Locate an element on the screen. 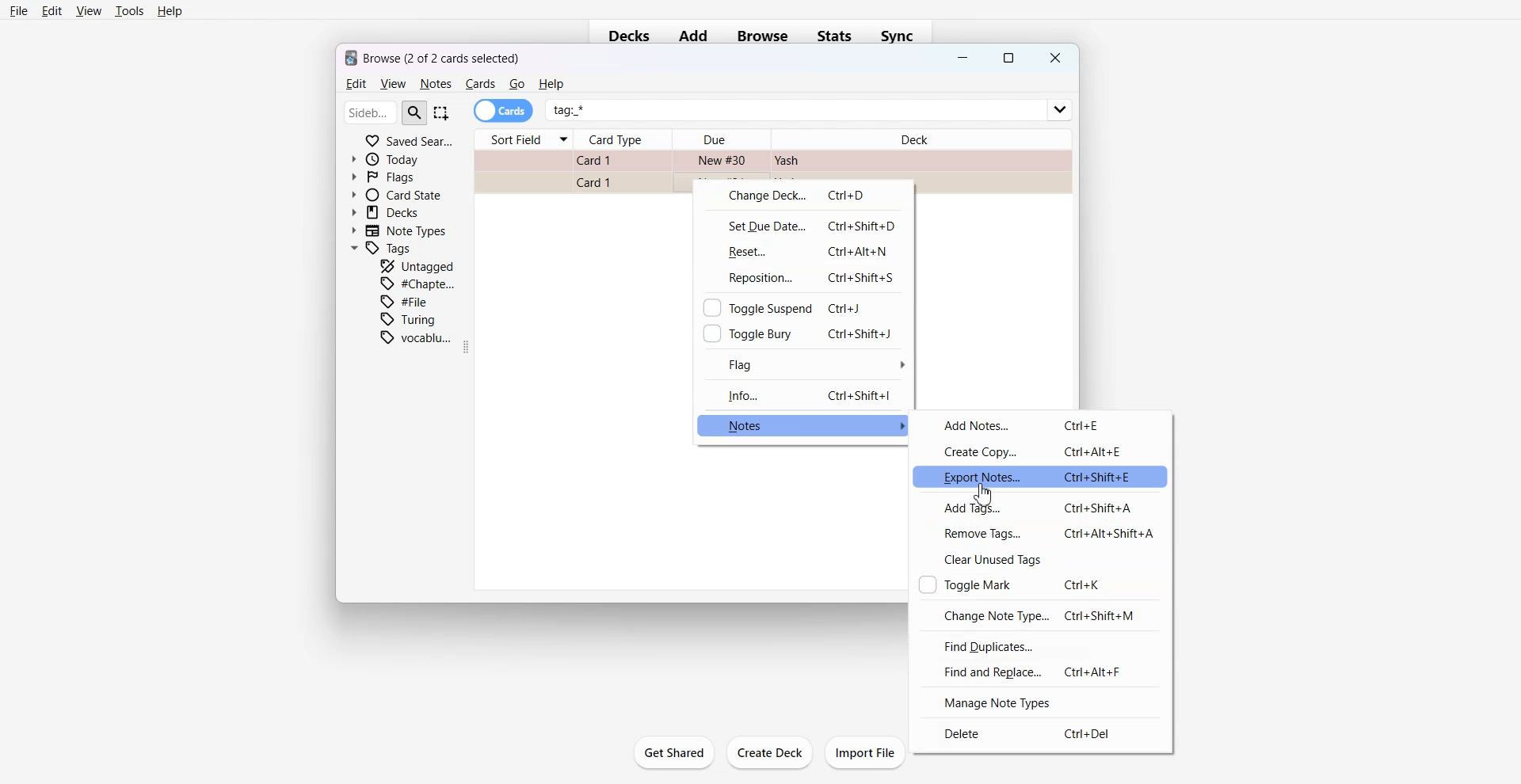 The height and width of the screenshot is (784, 1521). Go is located at coordinates (517, 84).